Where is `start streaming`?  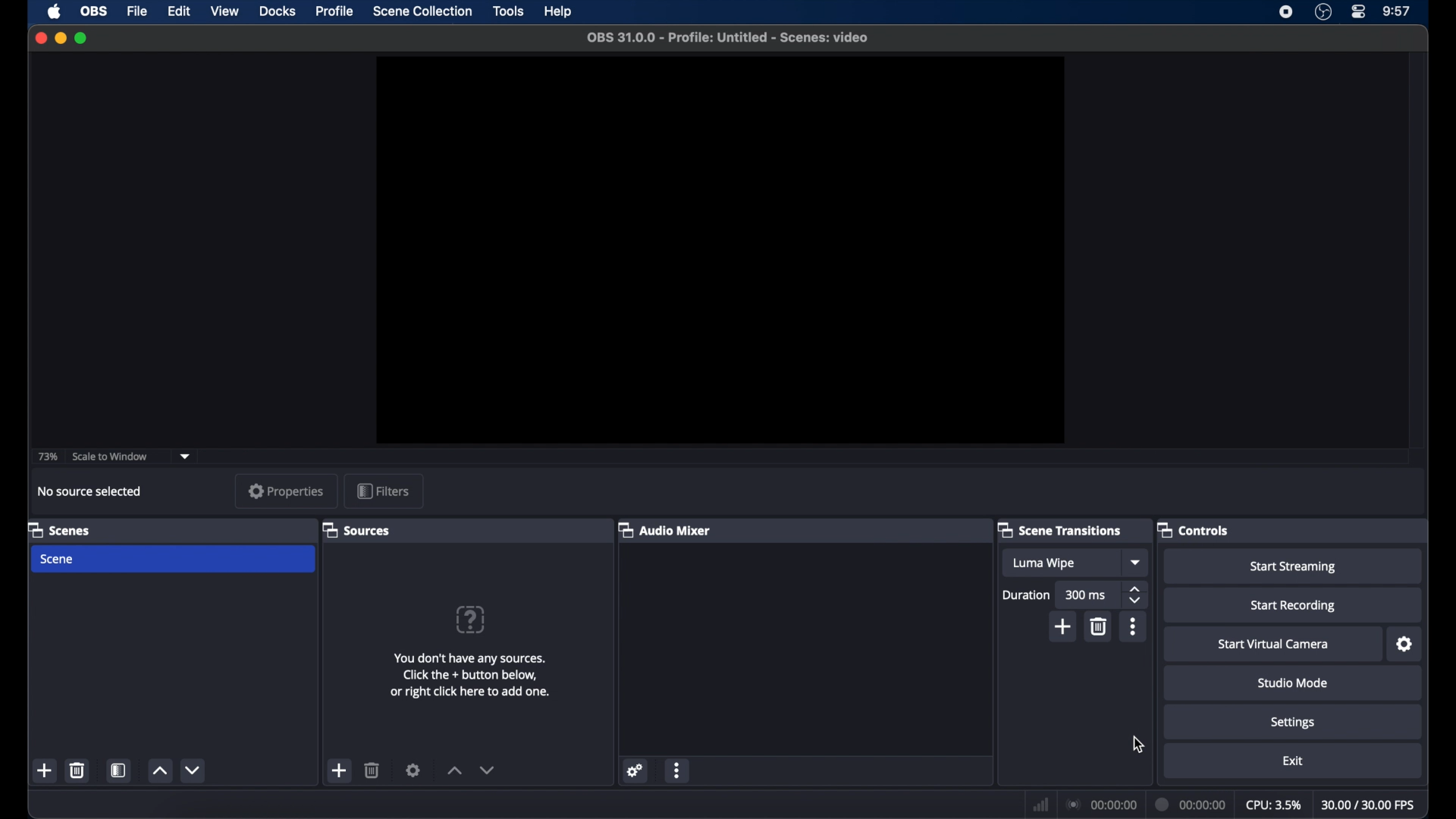
start streaming is located at coordinates (1296, 567).